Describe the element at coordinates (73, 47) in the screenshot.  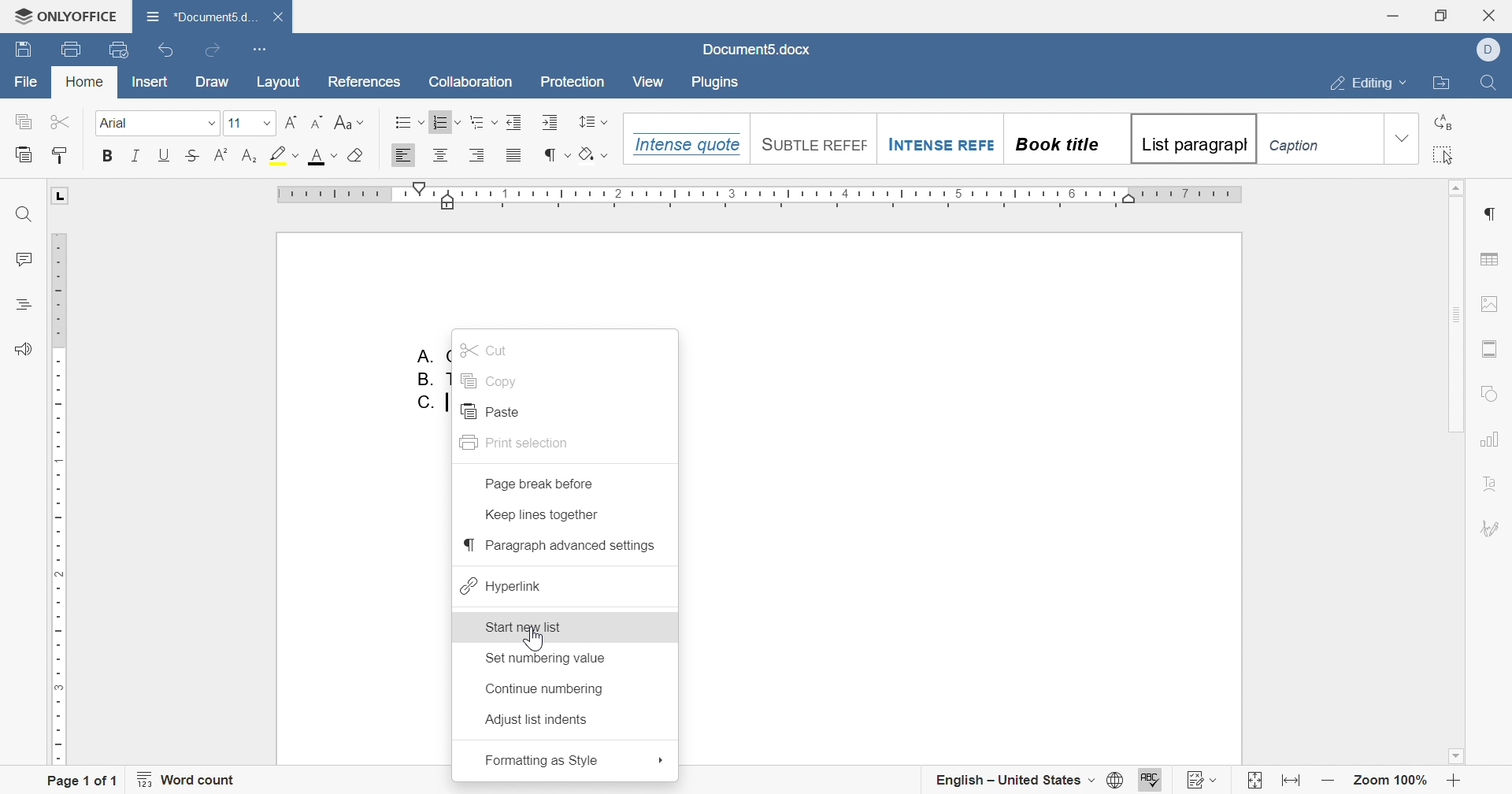
I see `print` at that location.